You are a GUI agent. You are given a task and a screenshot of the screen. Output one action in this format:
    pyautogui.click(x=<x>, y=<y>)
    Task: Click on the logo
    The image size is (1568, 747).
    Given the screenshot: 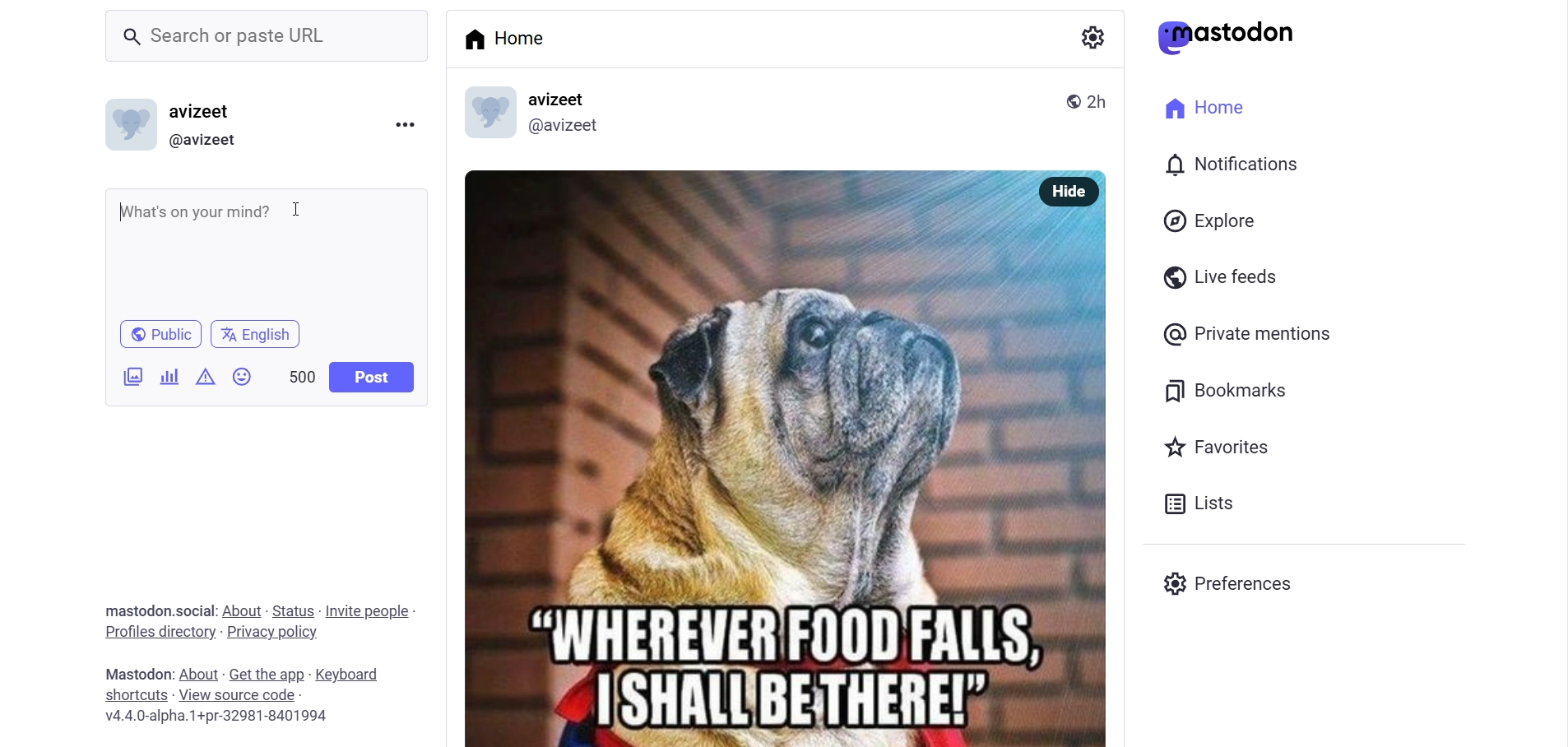 What is the action you would take?
    pyautogui.click(x=126, y=125)
    